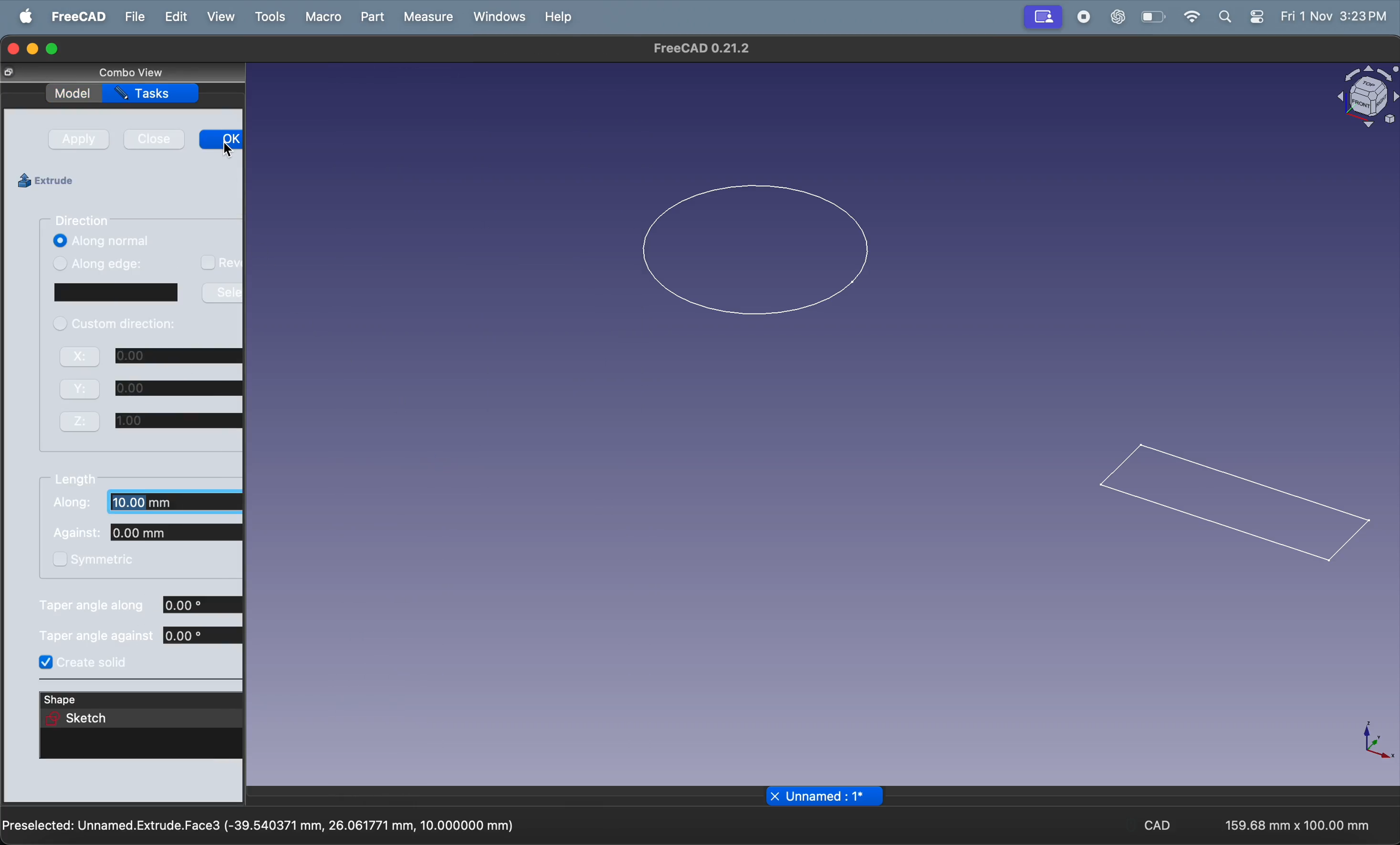 This screenshot has height=845, width=1400. Describe the element at coordinates (1085, 16) in the screenshot. I see `record` at that location.